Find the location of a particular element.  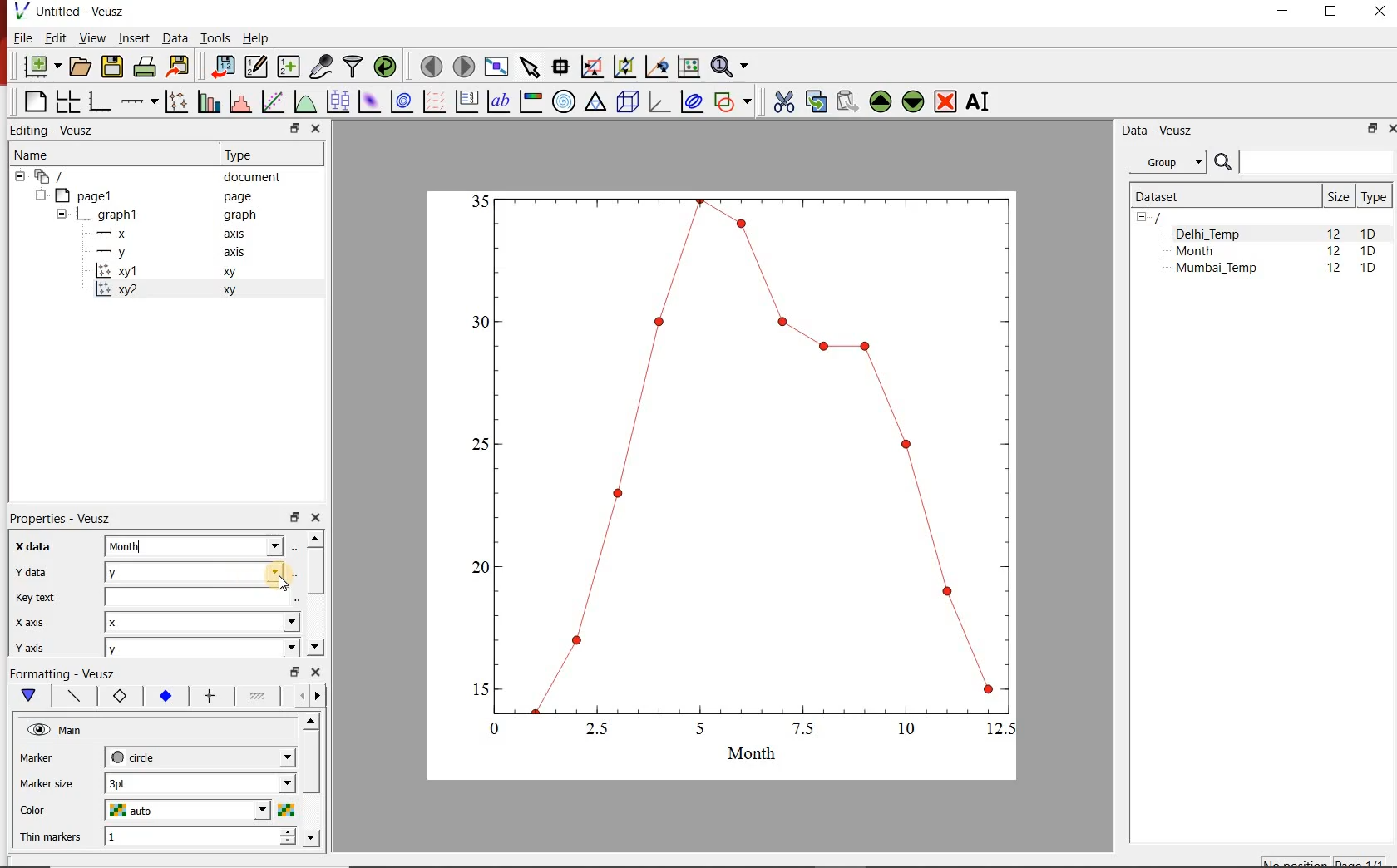

y is located at coordinates (201, 649).